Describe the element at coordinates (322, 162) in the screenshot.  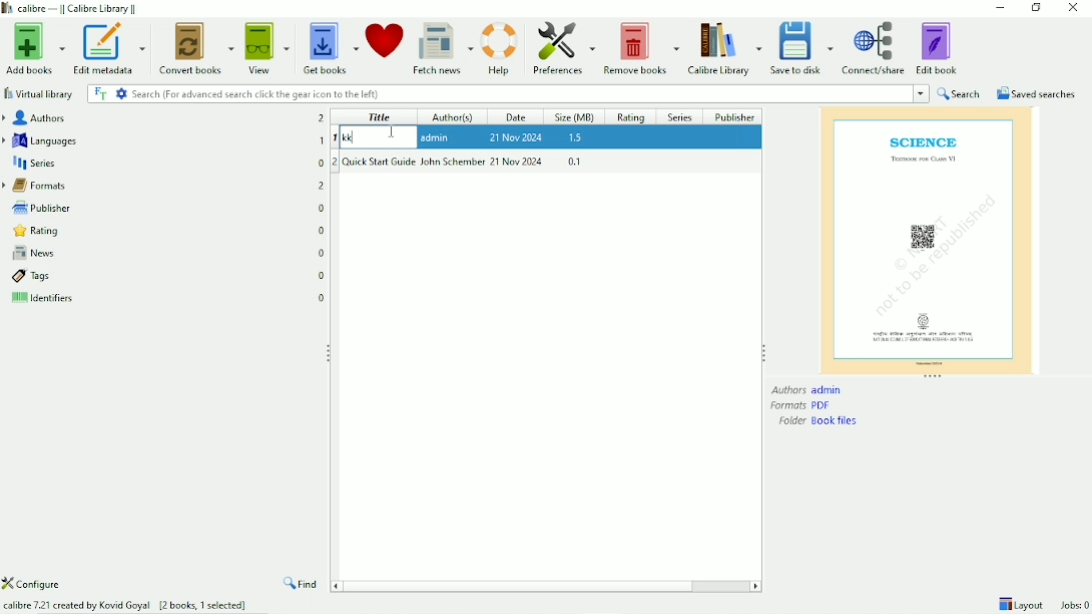
I see `0` at that location.